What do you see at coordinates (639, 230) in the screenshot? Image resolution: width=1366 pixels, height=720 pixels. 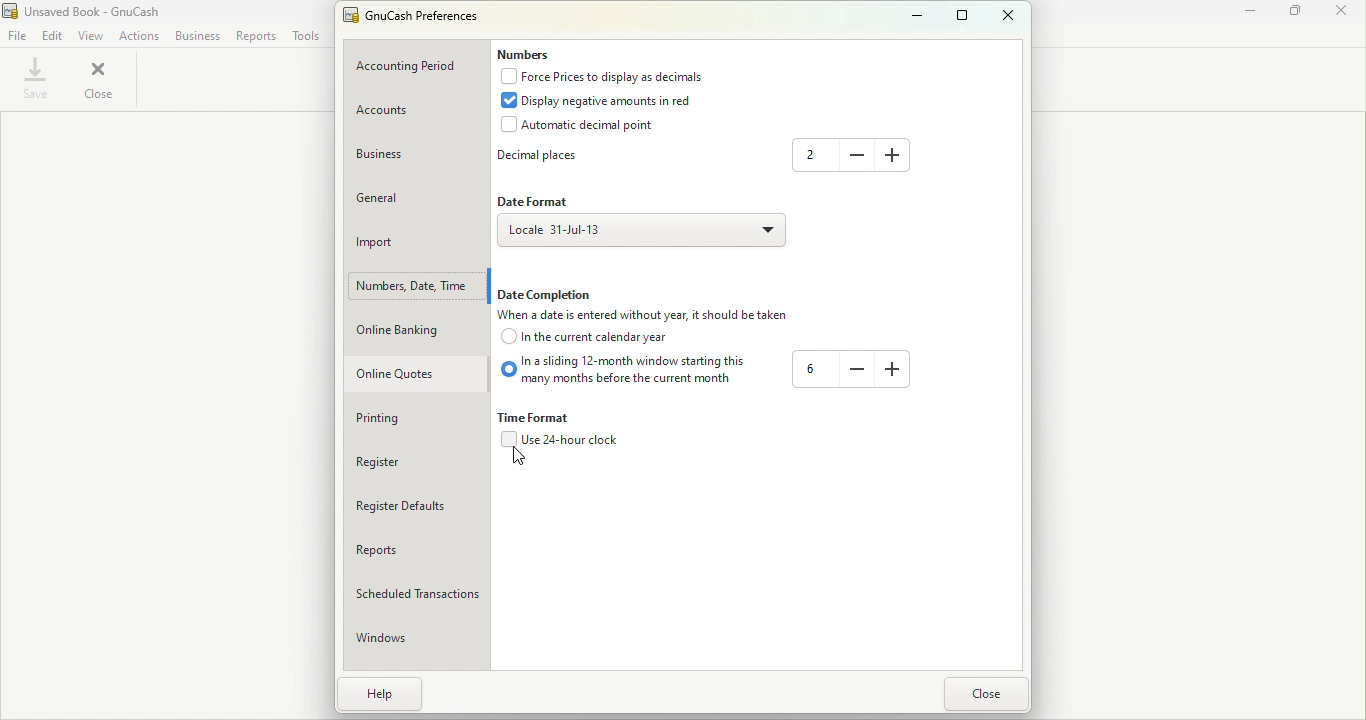 I see `Locale 31-Jul-13` at bounding box center [639, 230].